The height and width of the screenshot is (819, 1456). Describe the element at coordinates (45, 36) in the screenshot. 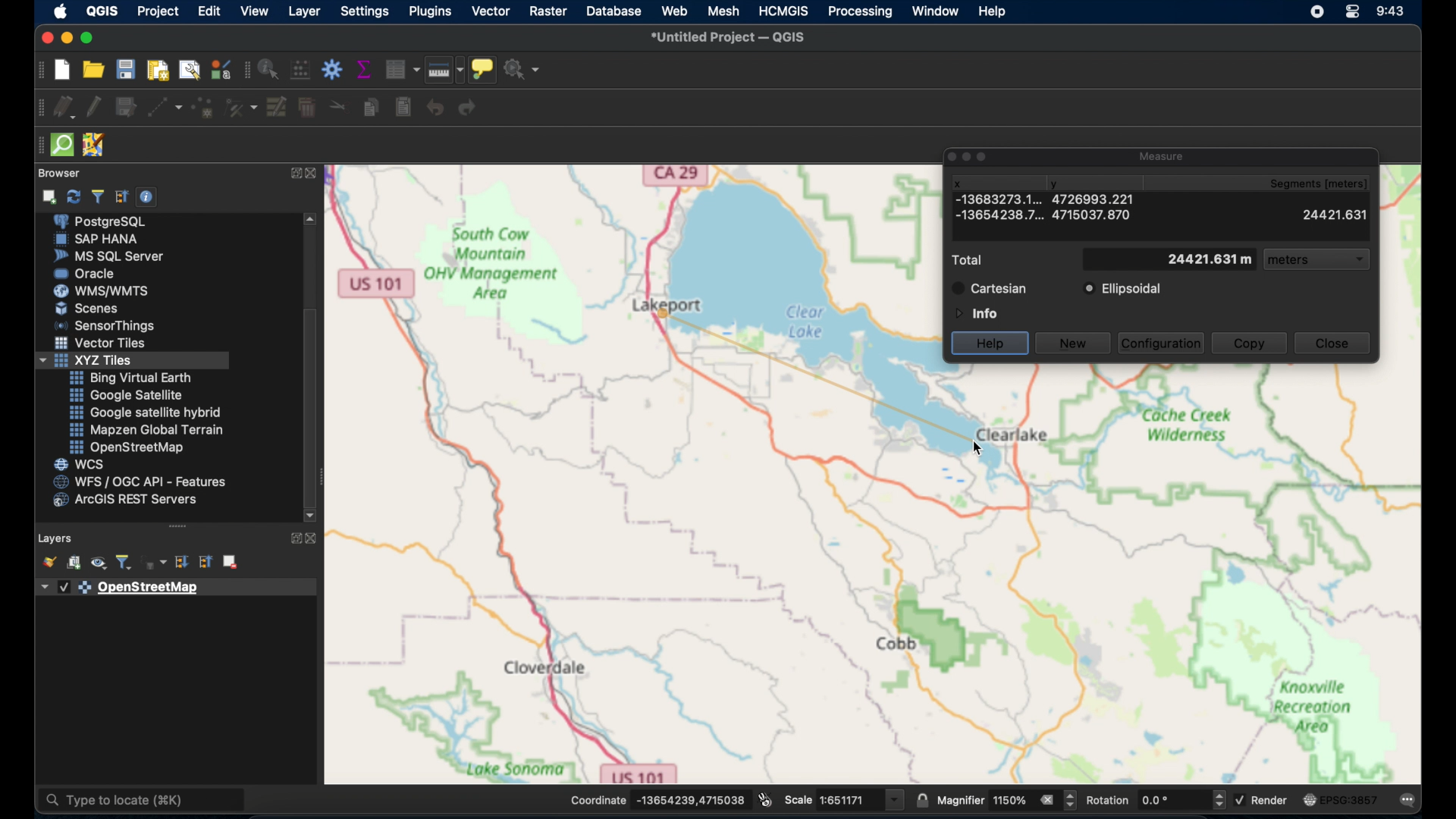

I see `close` at that location.